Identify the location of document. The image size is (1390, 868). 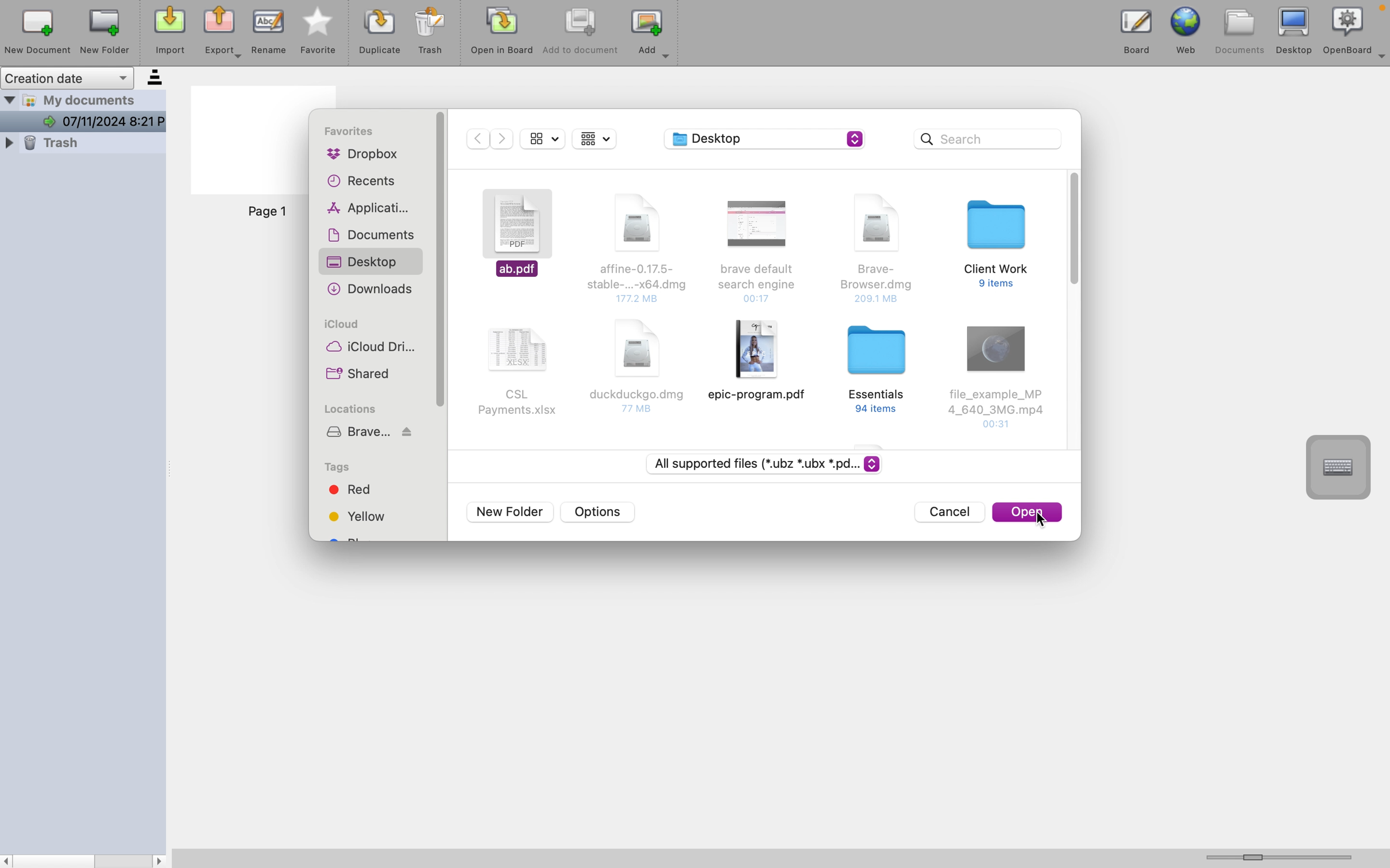
(637, 246).